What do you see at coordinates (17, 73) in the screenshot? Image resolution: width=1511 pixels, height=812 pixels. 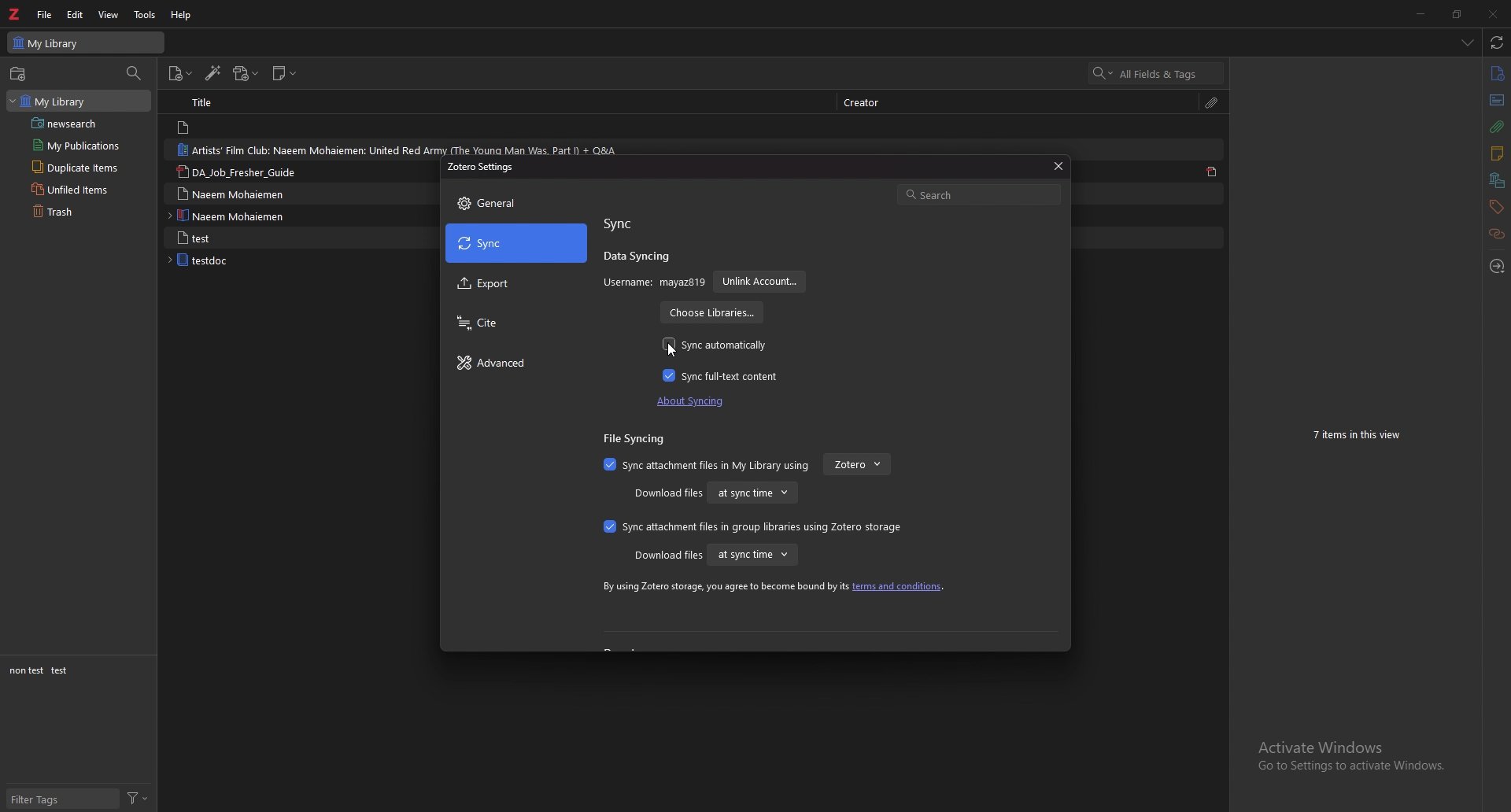 I see `new collection` at bounding box center [17, 73].